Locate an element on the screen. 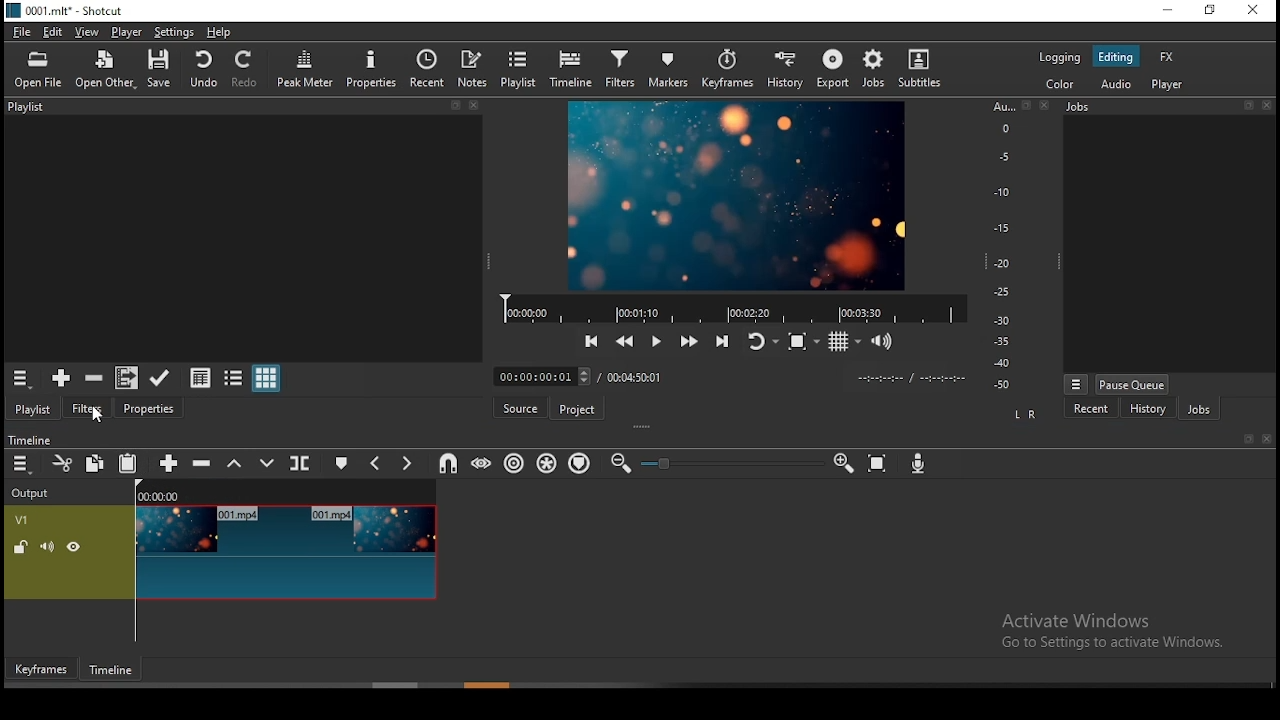 The width and height of the screenshot is (1280, 720). filters is located at coordinates (621, 69).